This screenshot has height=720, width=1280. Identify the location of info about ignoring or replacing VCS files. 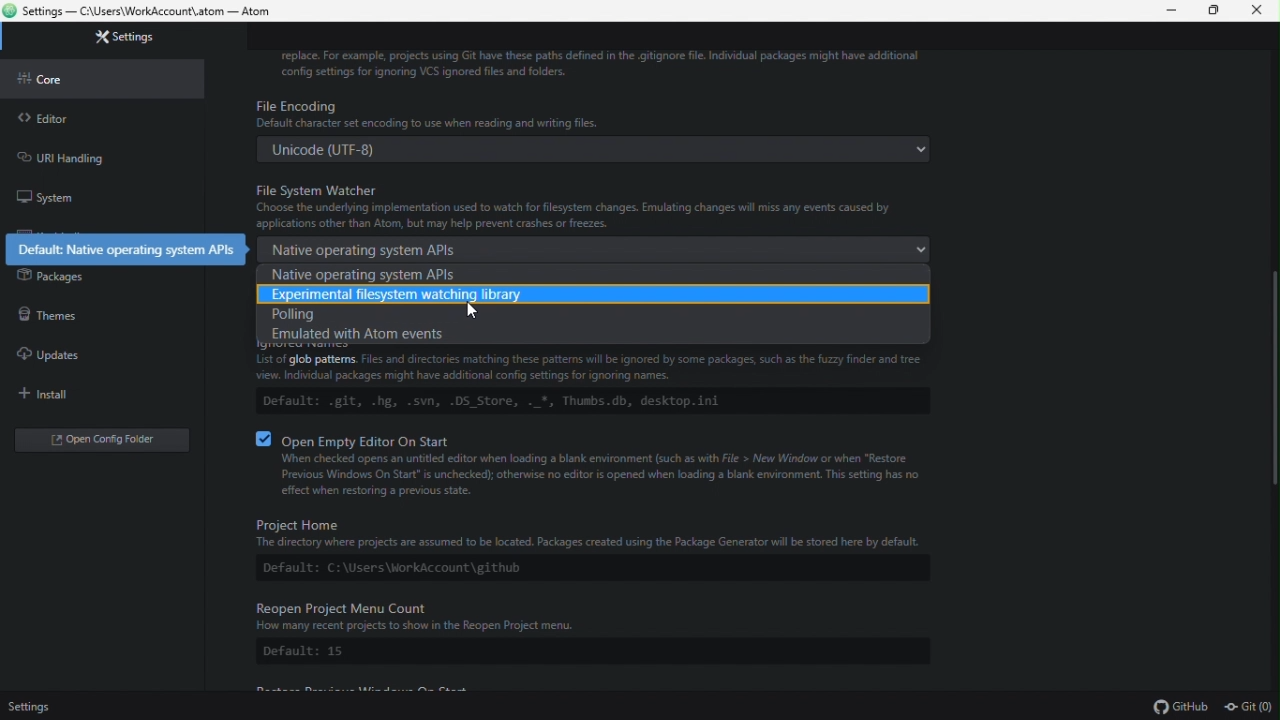
(646, 62).